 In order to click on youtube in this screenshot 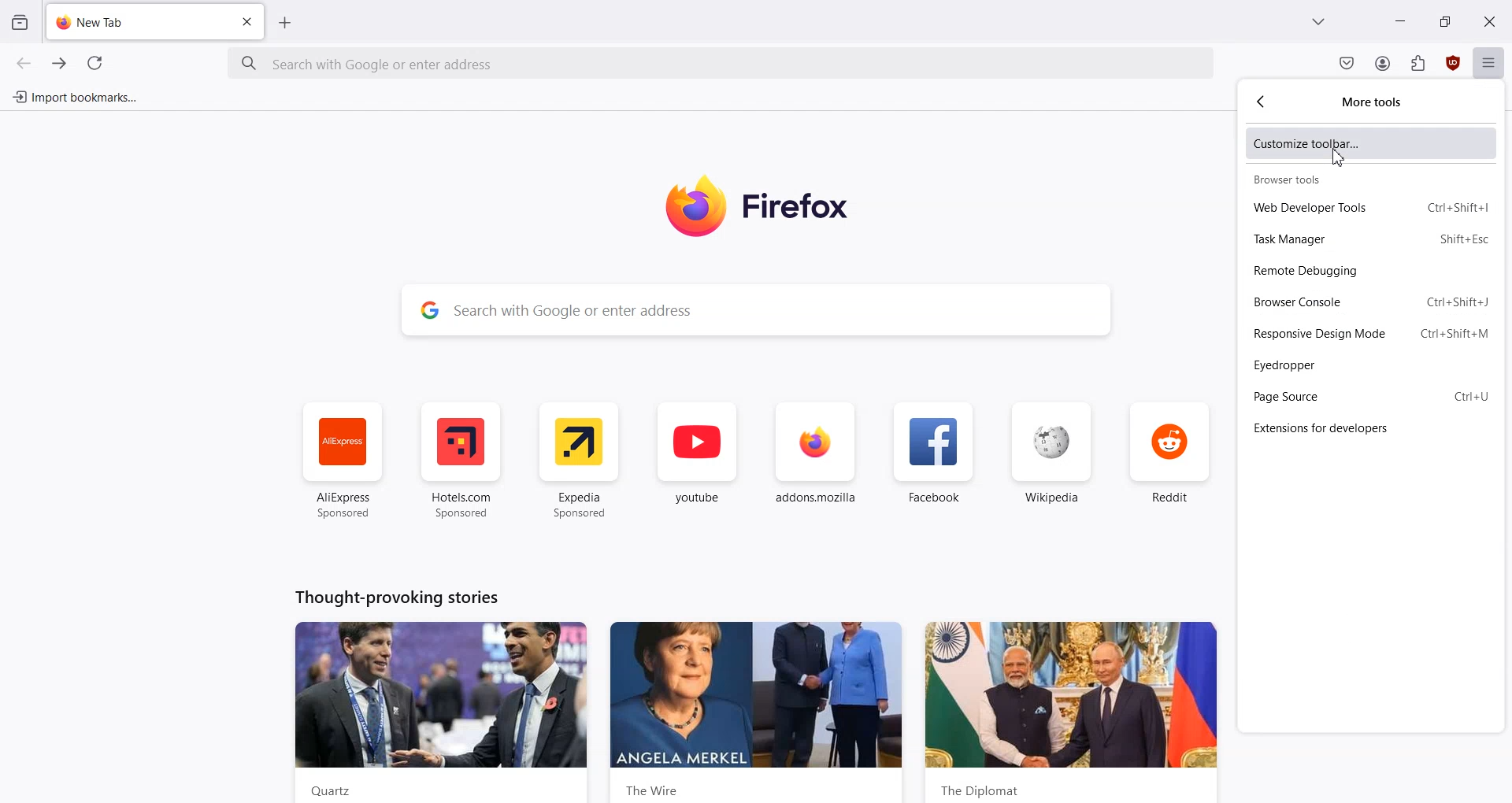, I will do `click(697, 461)`.